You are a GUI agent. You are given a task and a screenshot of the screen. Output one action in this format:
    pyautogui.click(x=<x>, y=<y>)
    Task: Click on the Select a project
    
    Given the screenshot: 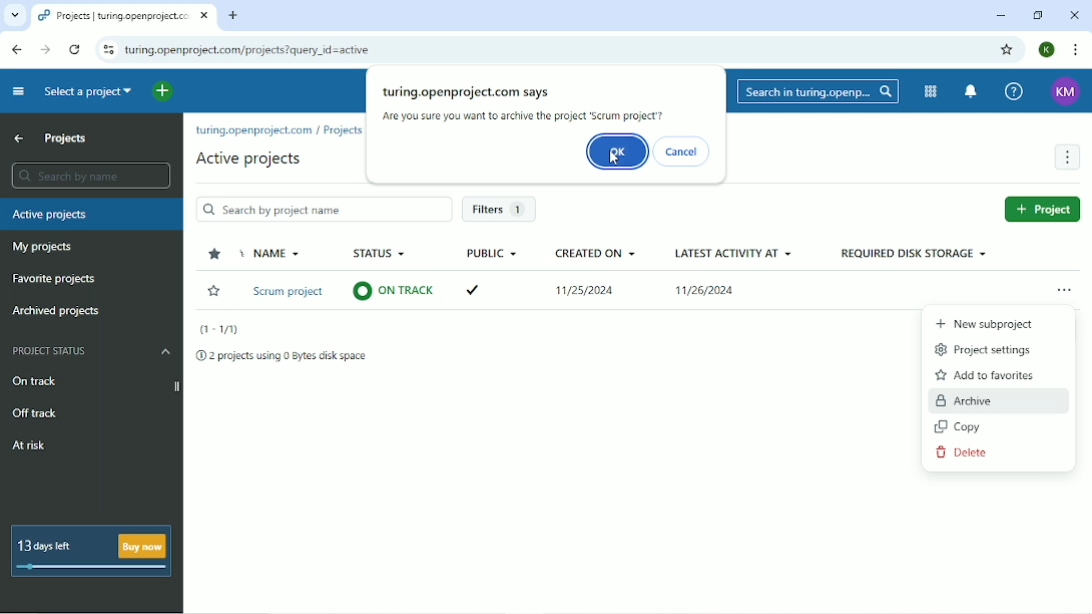 What is the action you would take?
    pyautogui.click(x=87, y=93)
    